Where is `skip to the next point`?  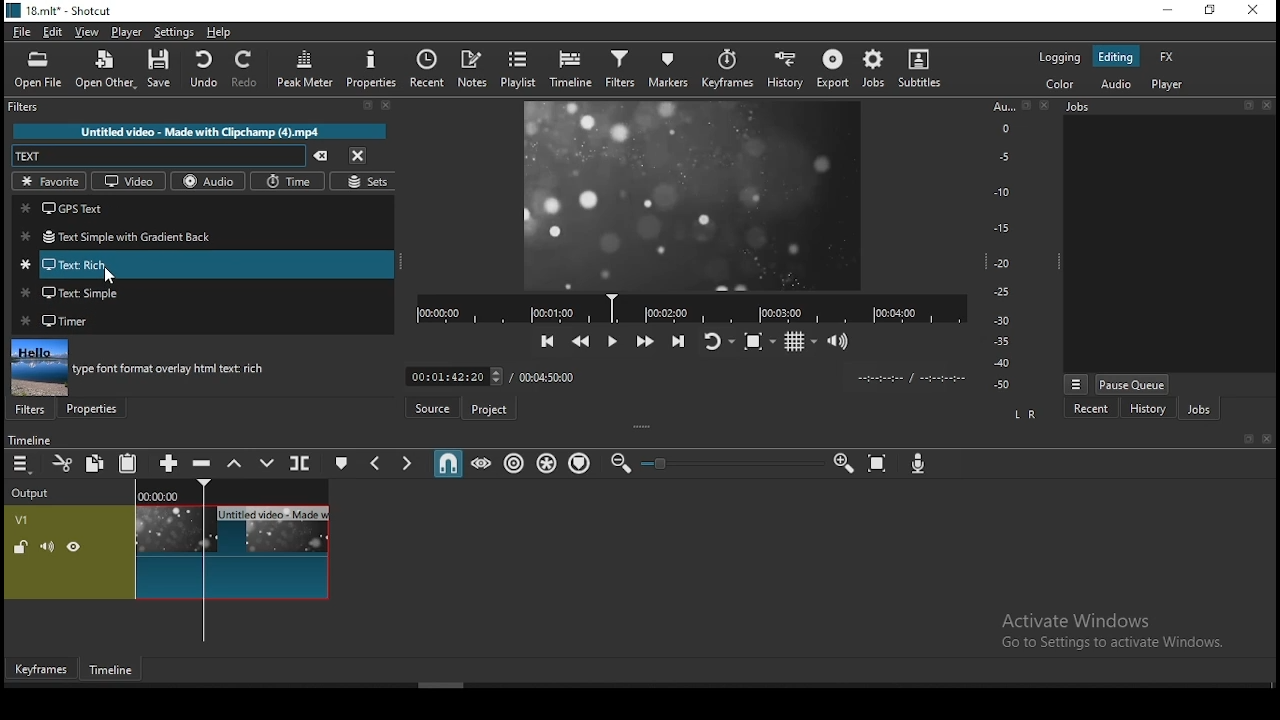 skip to the next point is located at coordinates (679, 340).